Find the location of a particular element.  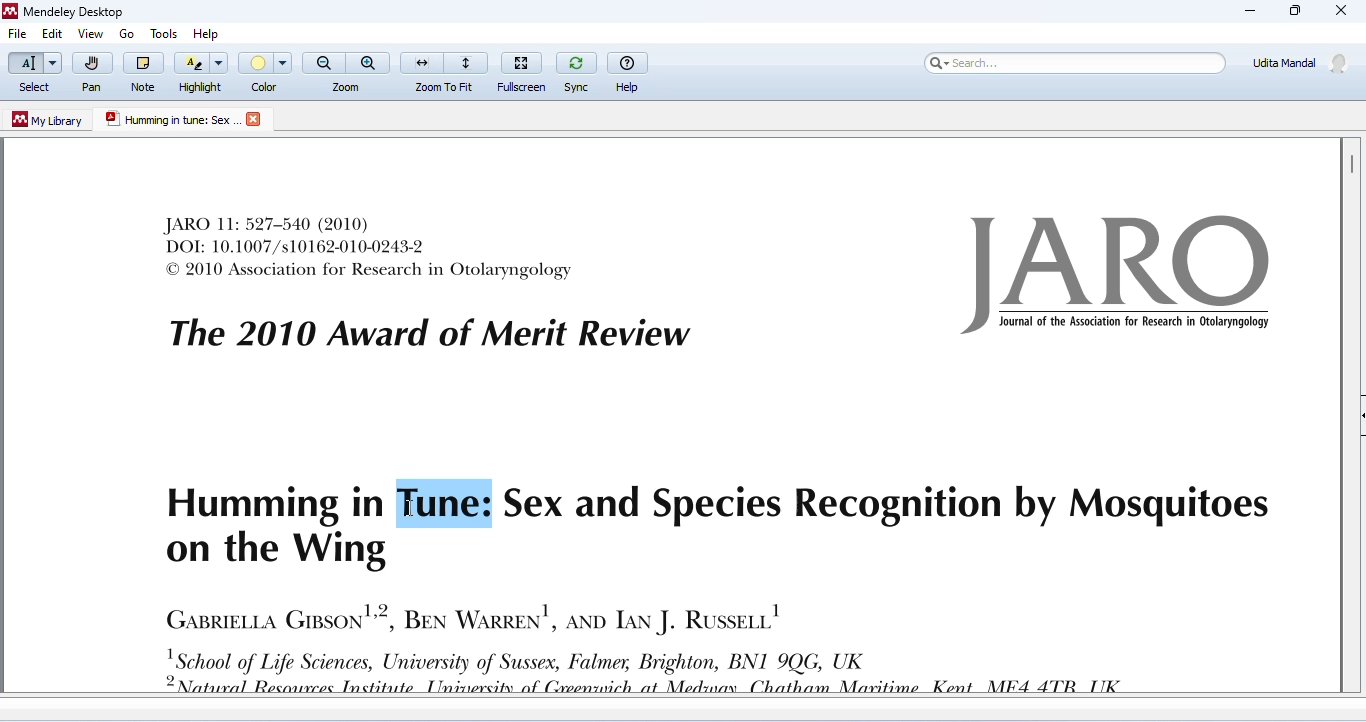

view is located at coordinates (90, 34).